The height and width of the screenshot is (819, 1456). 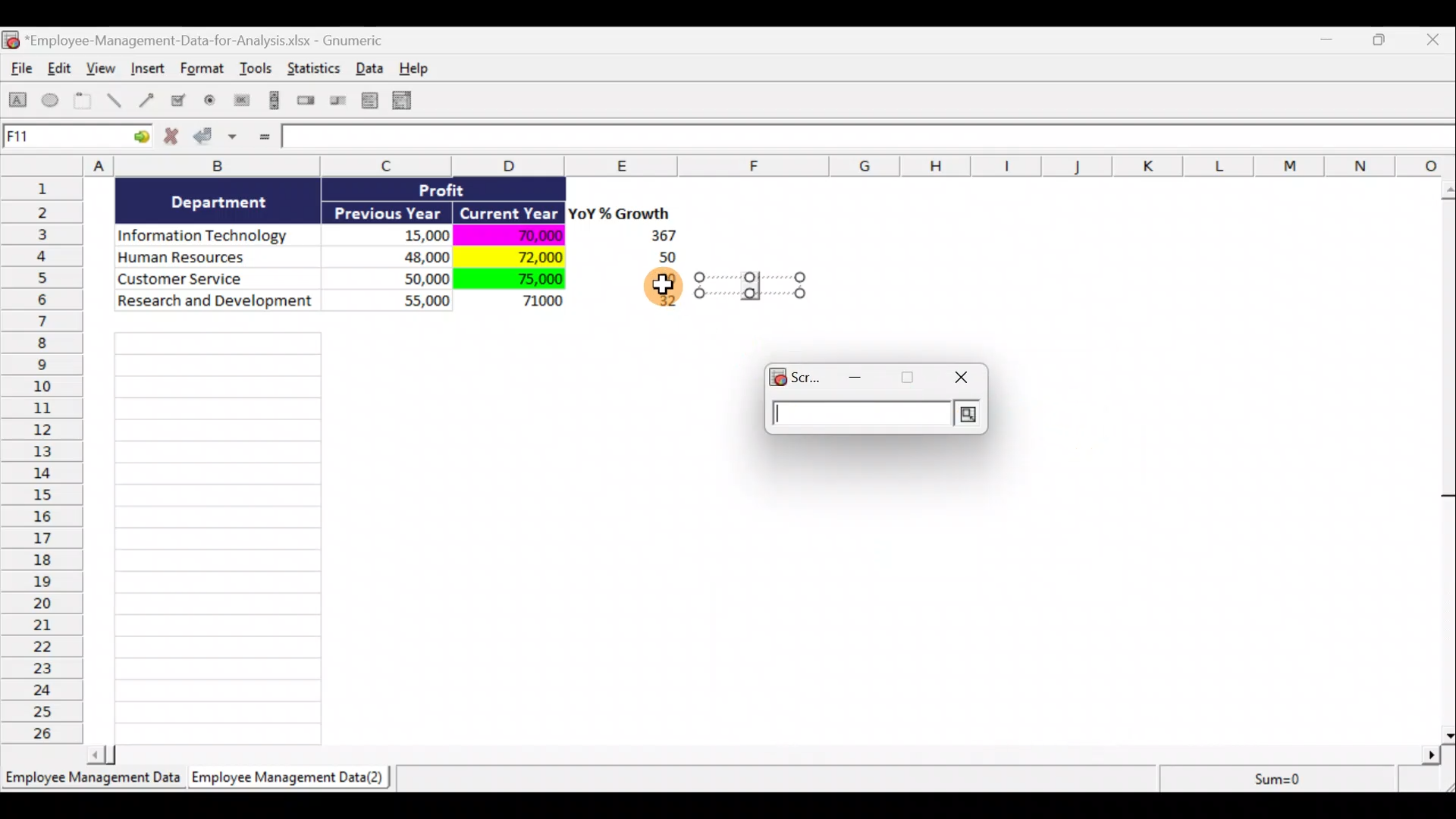 I want to click on Create a radio button, so click(x=211, y=102).